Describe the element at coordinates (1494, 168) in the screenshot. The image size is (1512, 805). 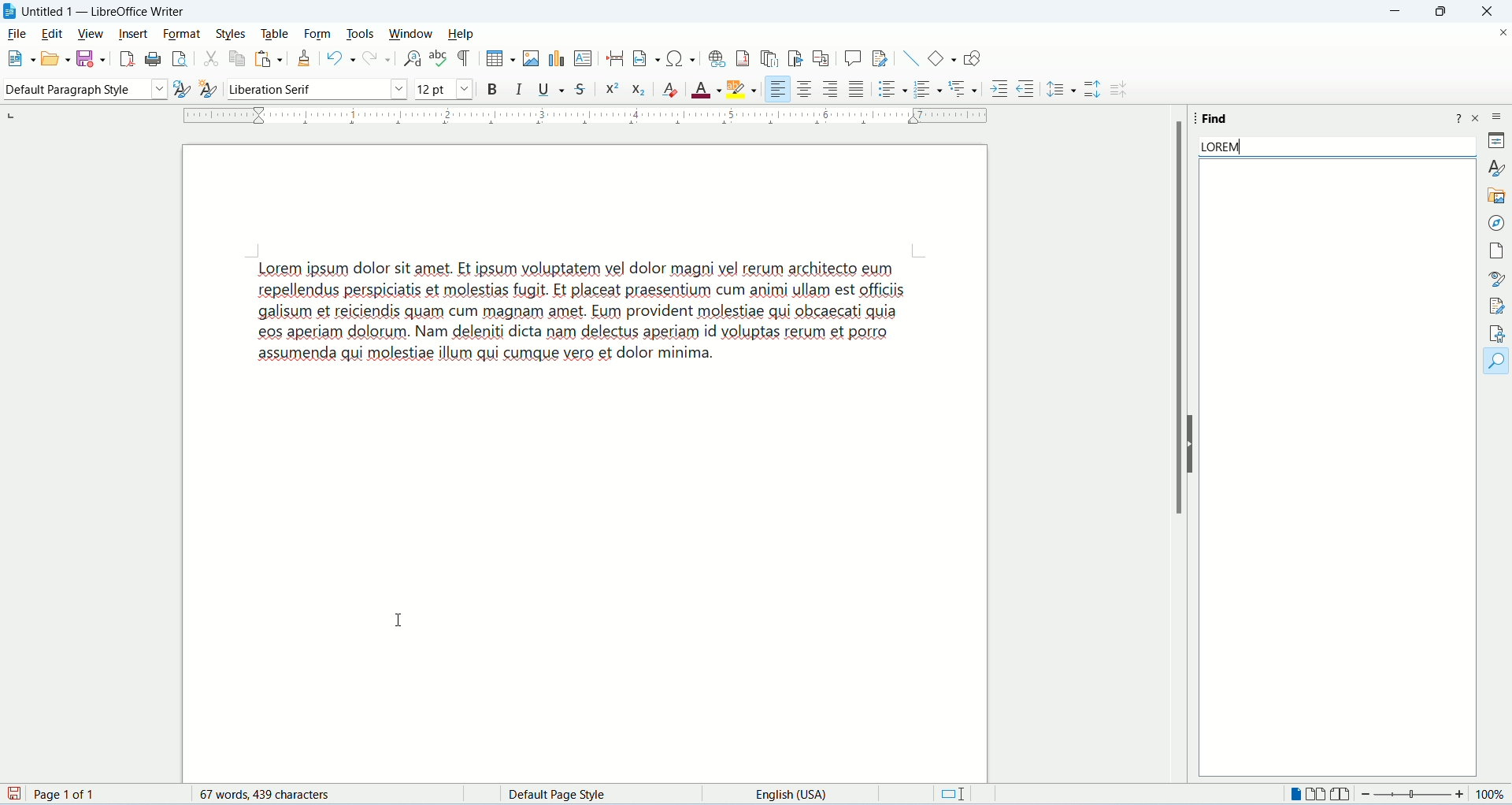
I see `style` at that location.